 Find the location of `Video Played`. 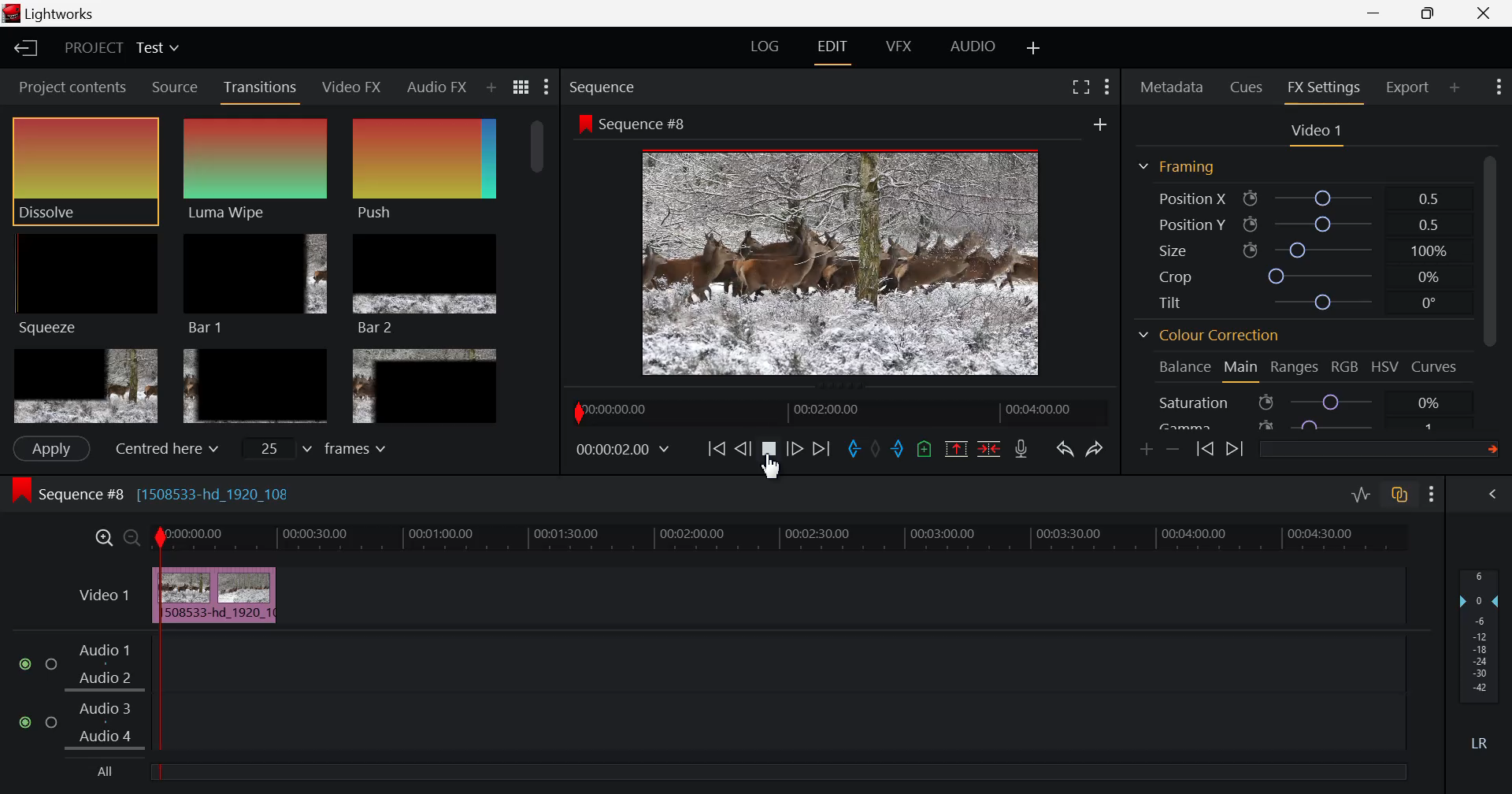

Video Played is located at coordinates (770, 455).